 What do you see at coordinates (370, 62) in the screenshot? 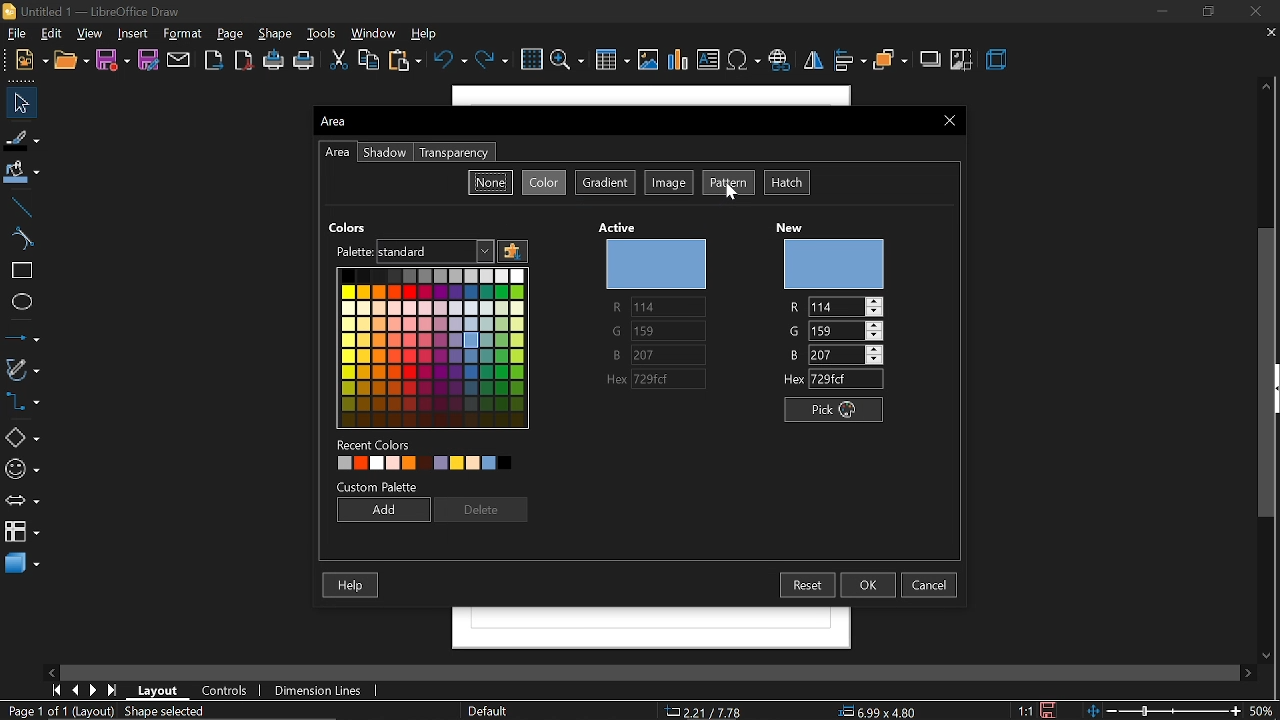
I see `copy` at bounding box center [370, 62].